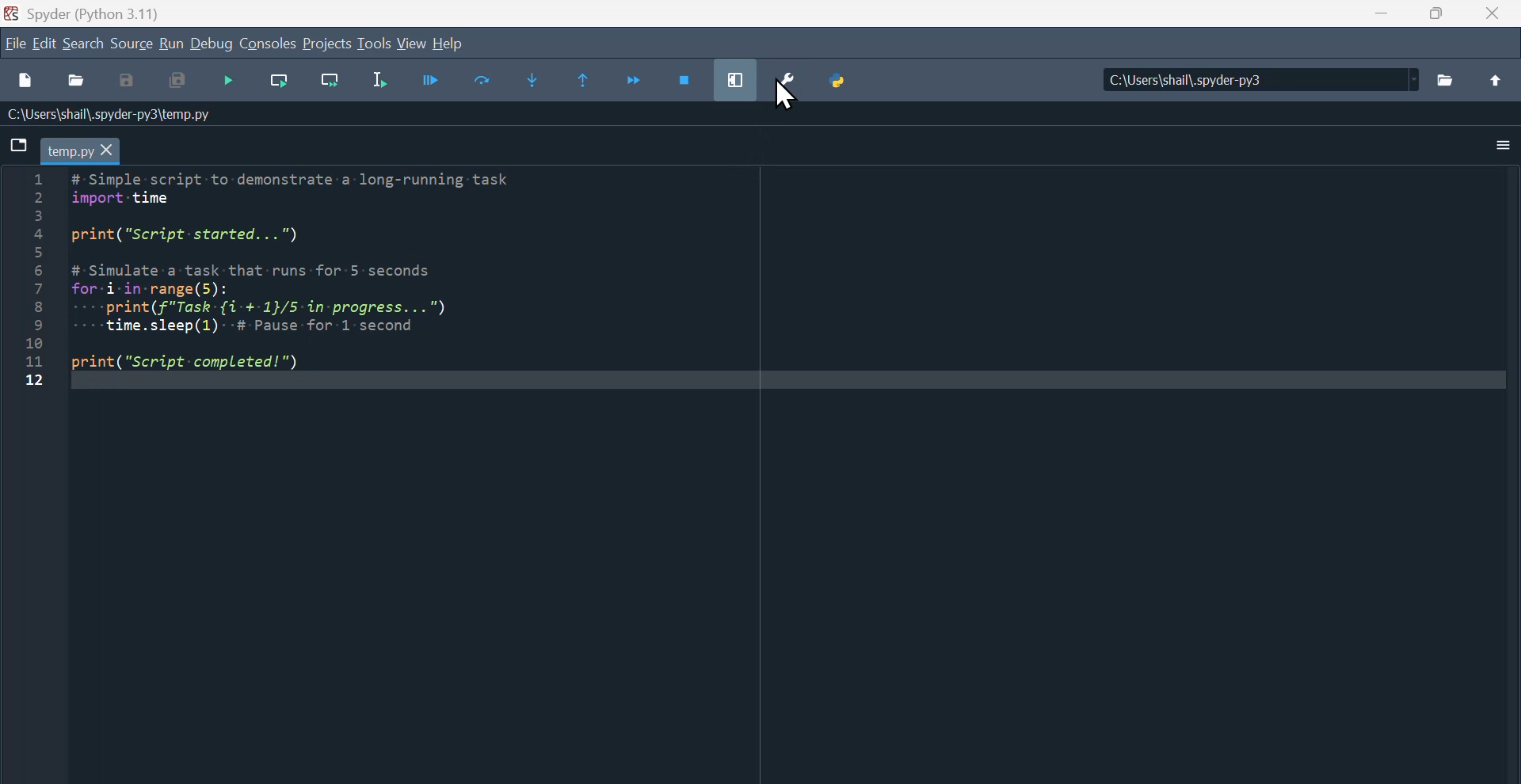 The width and height of the screenshot is (1521, 784). Describe the element at coordinates (1451, 83) in the screenshot. I see `Folder` at that location.